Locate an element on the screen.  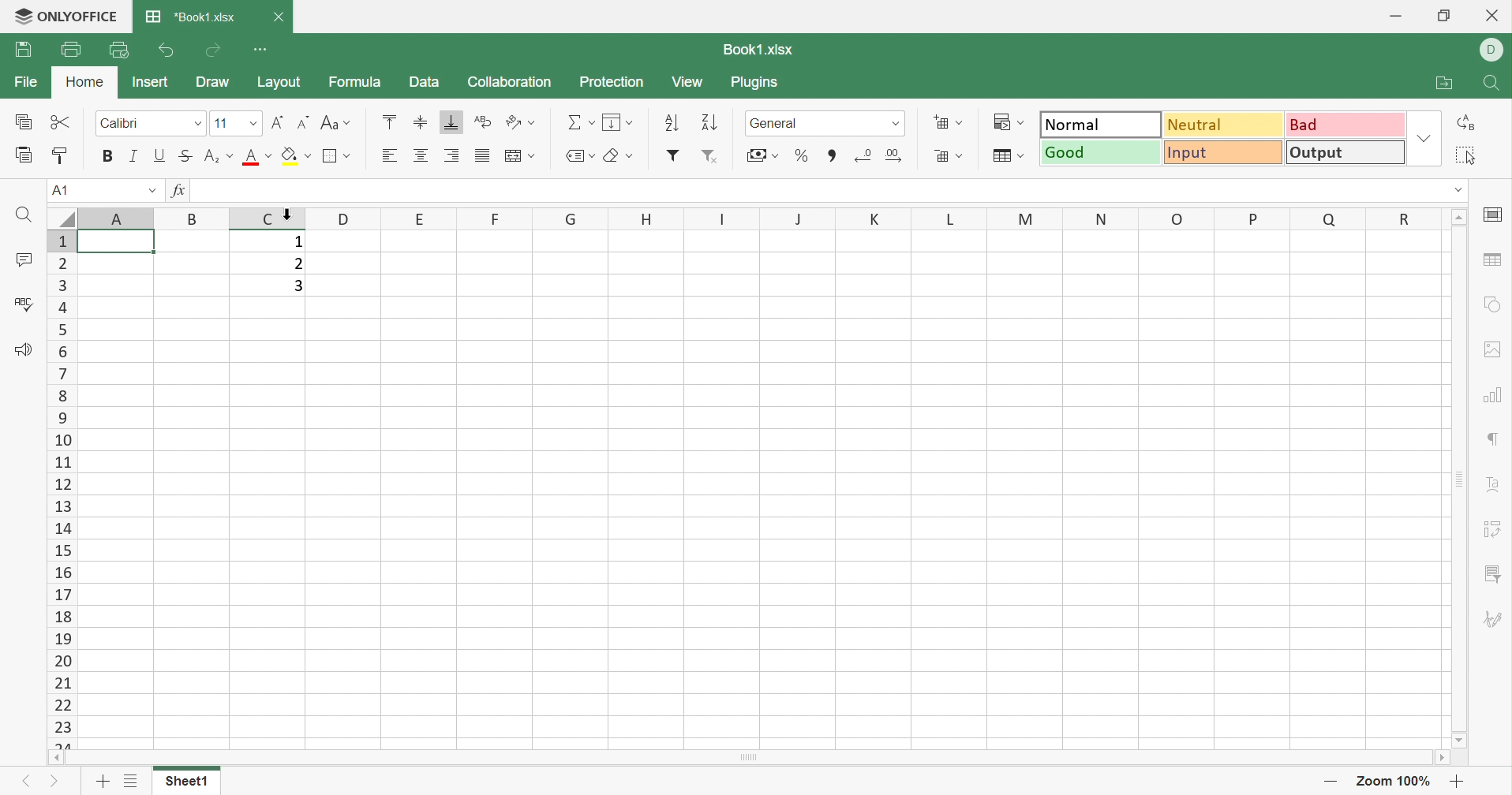
3 is located at coordinates (294, 285).